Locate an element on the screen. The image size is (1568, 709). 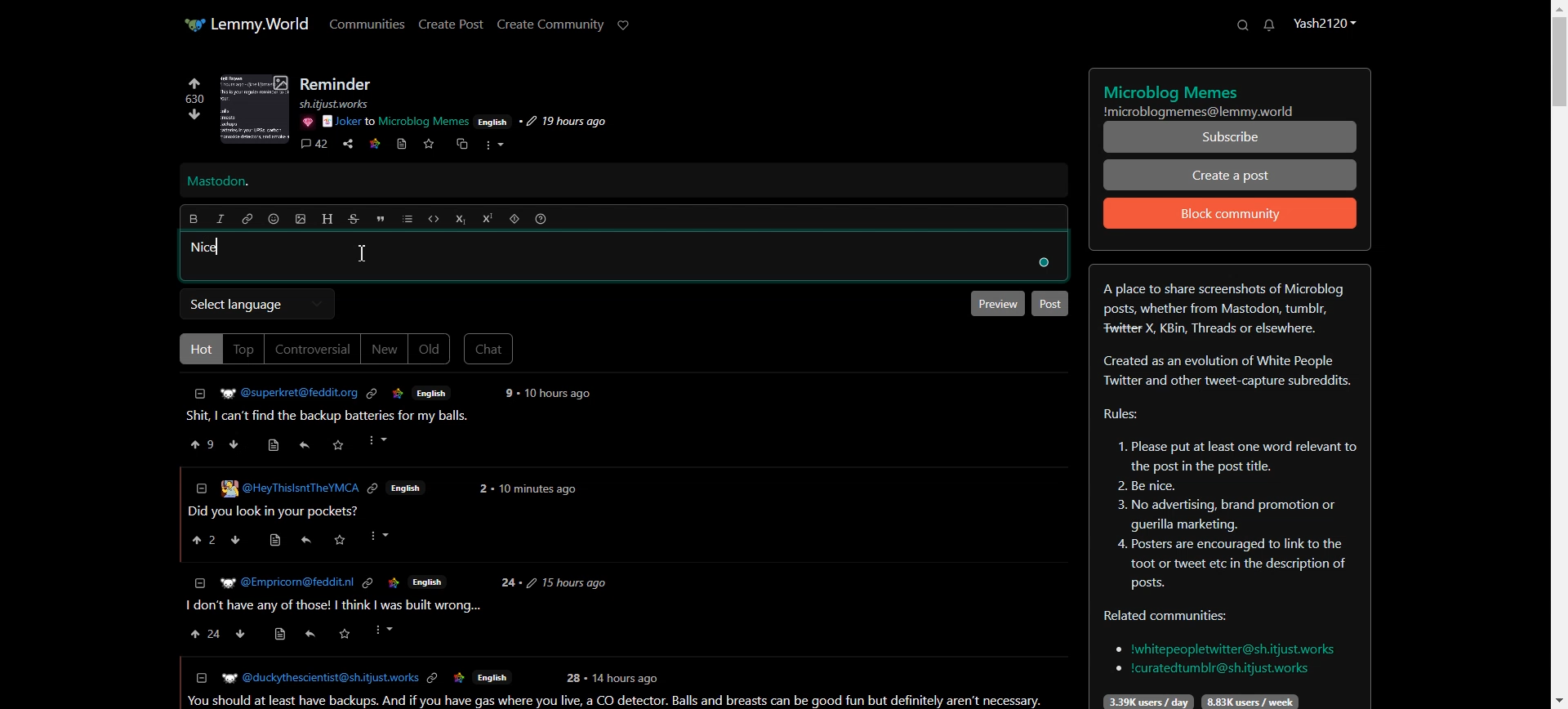
English is located at coordinates (492, 679).